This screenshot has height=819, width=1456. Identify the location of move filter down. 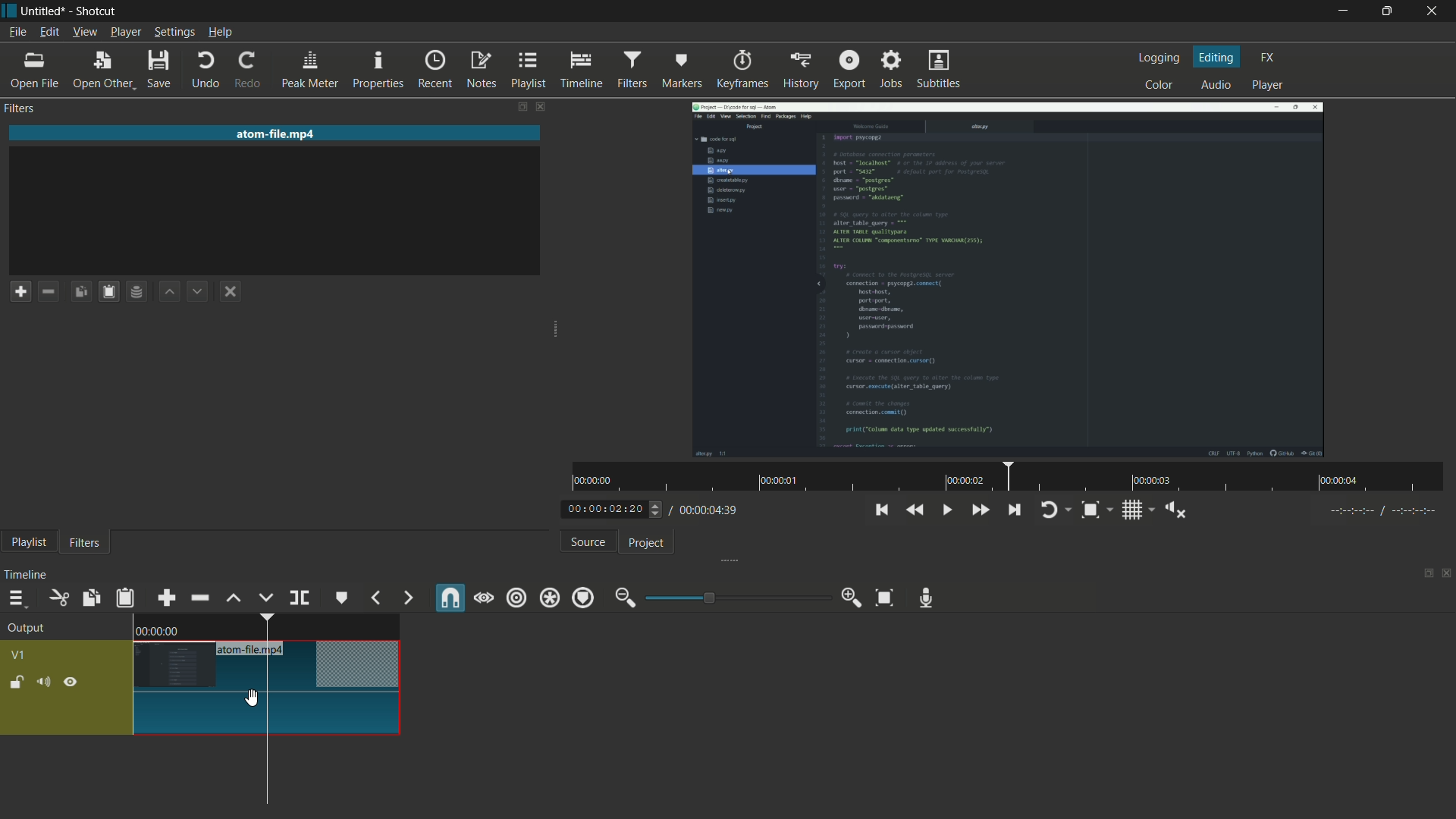
(198, 291).